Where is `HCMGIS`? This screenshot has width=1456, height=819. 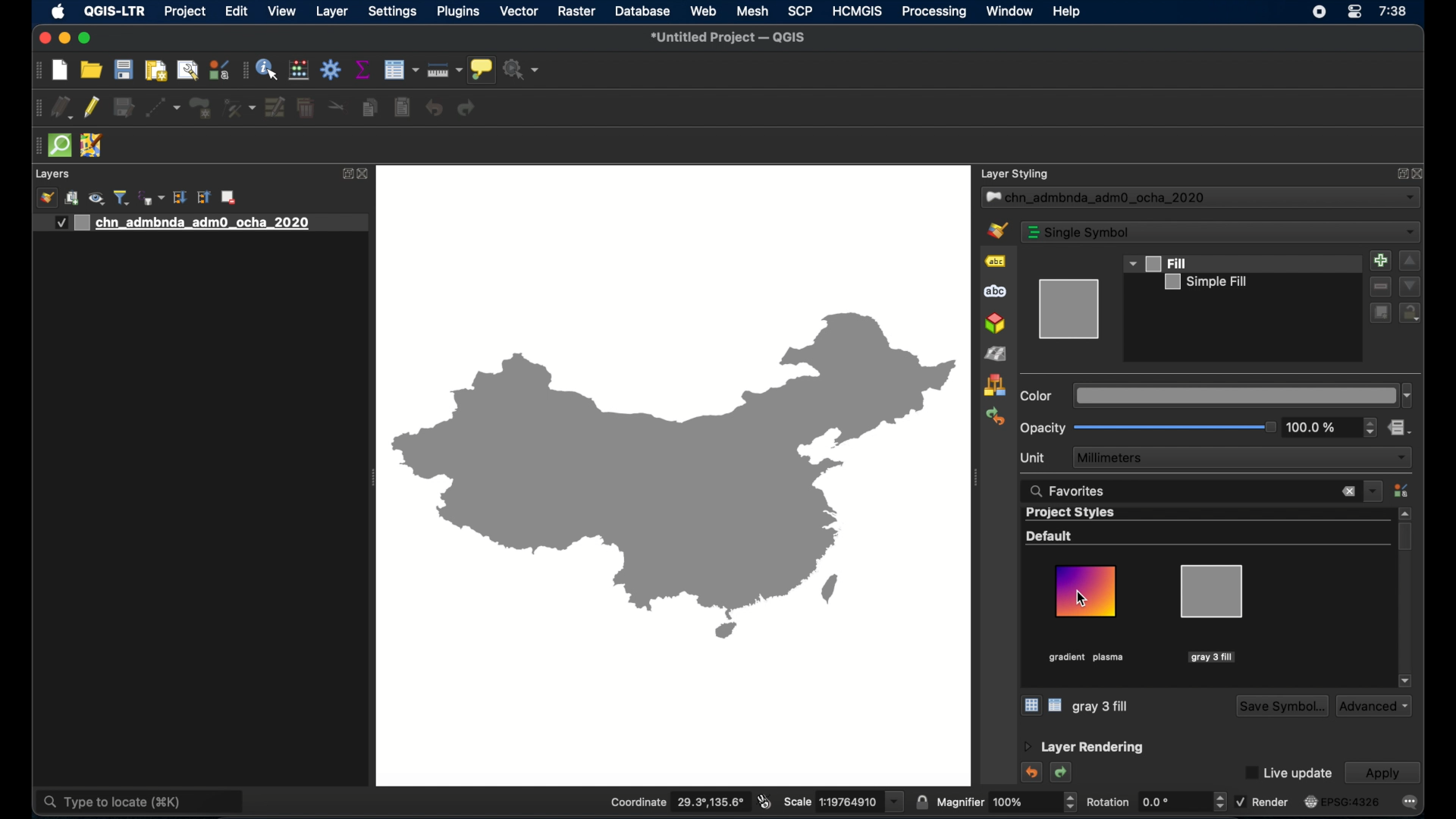
HCMGIS is located at coordinates (858, 11).